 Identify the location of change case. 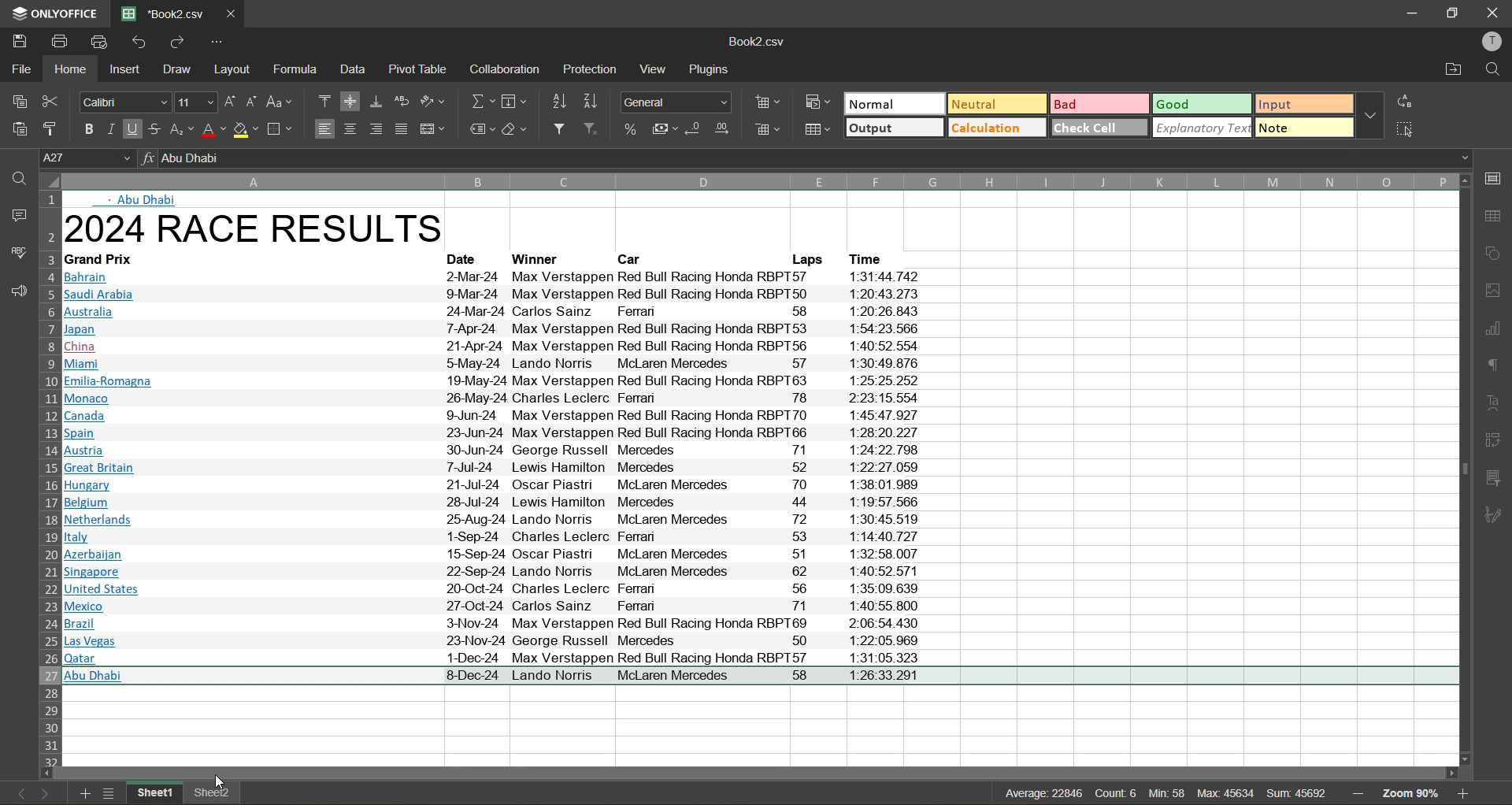
(282, 102).